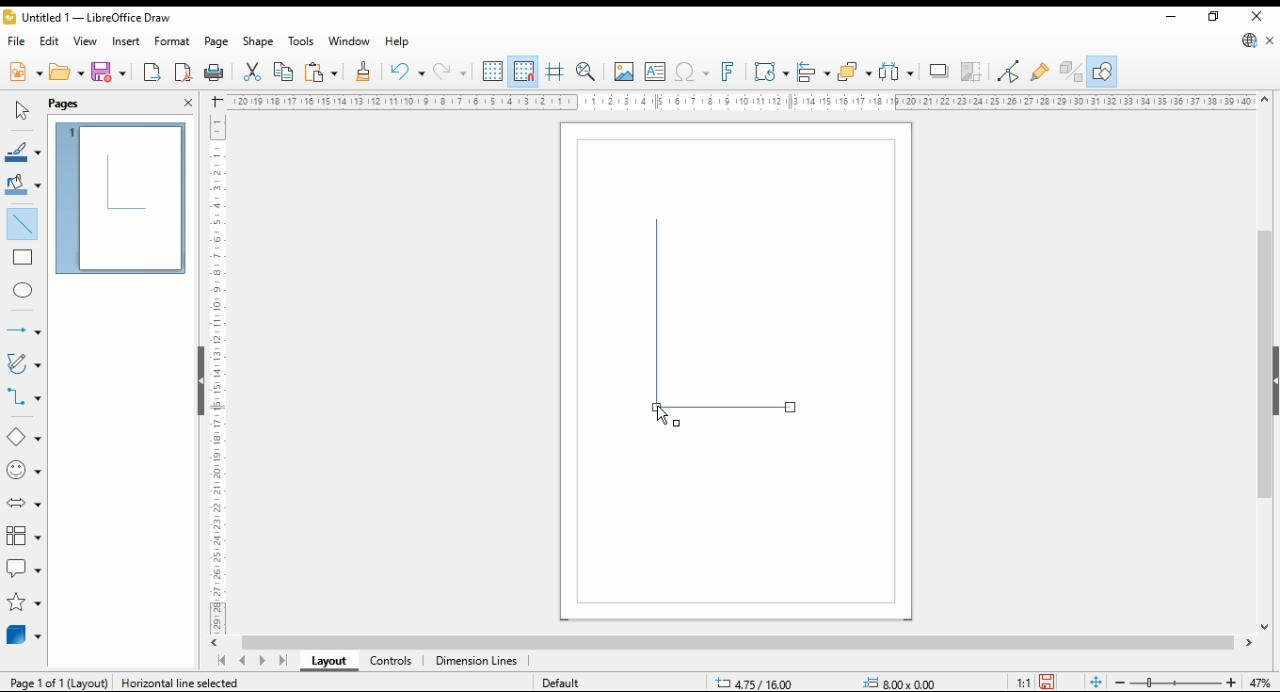 This screenshot has width=1280, height=692. Describe the element at coordinates (814, 71) in the screenshot. I see `align objects` at that location.